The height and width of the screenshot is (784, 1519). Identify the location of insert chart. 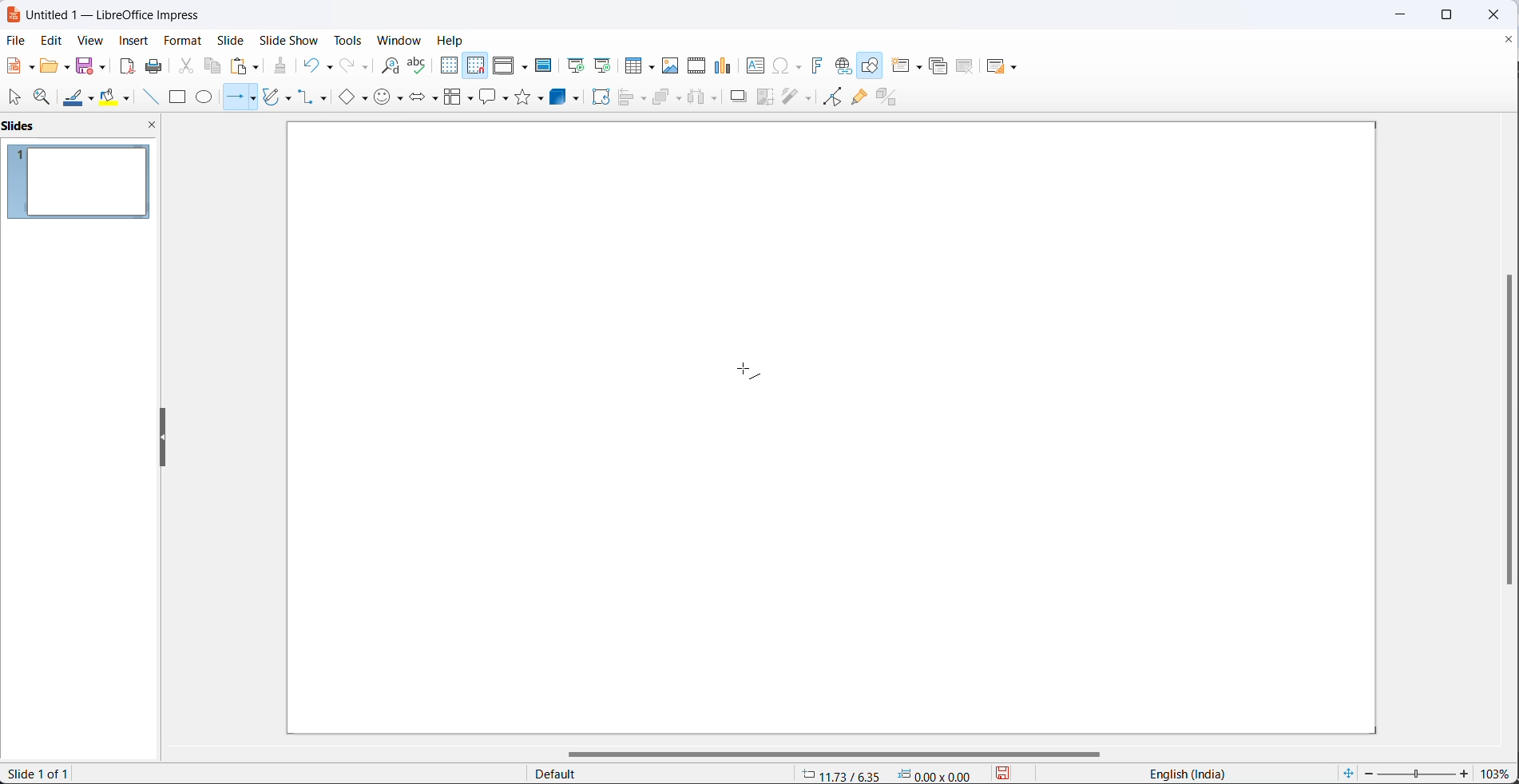
(723, 65).